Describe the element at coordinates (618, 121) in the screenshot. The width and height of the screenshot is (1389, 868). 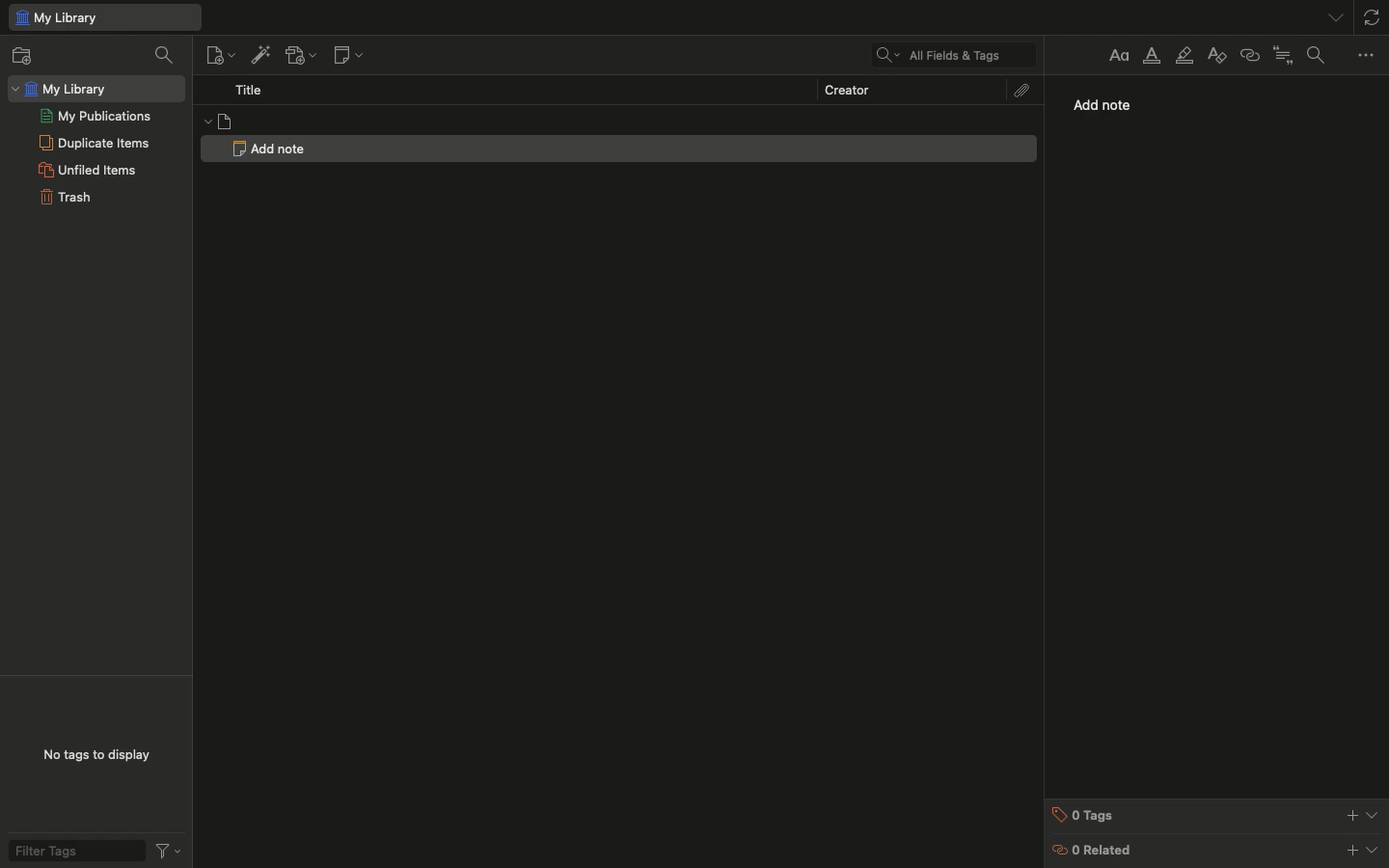
I see `Item` at that location.